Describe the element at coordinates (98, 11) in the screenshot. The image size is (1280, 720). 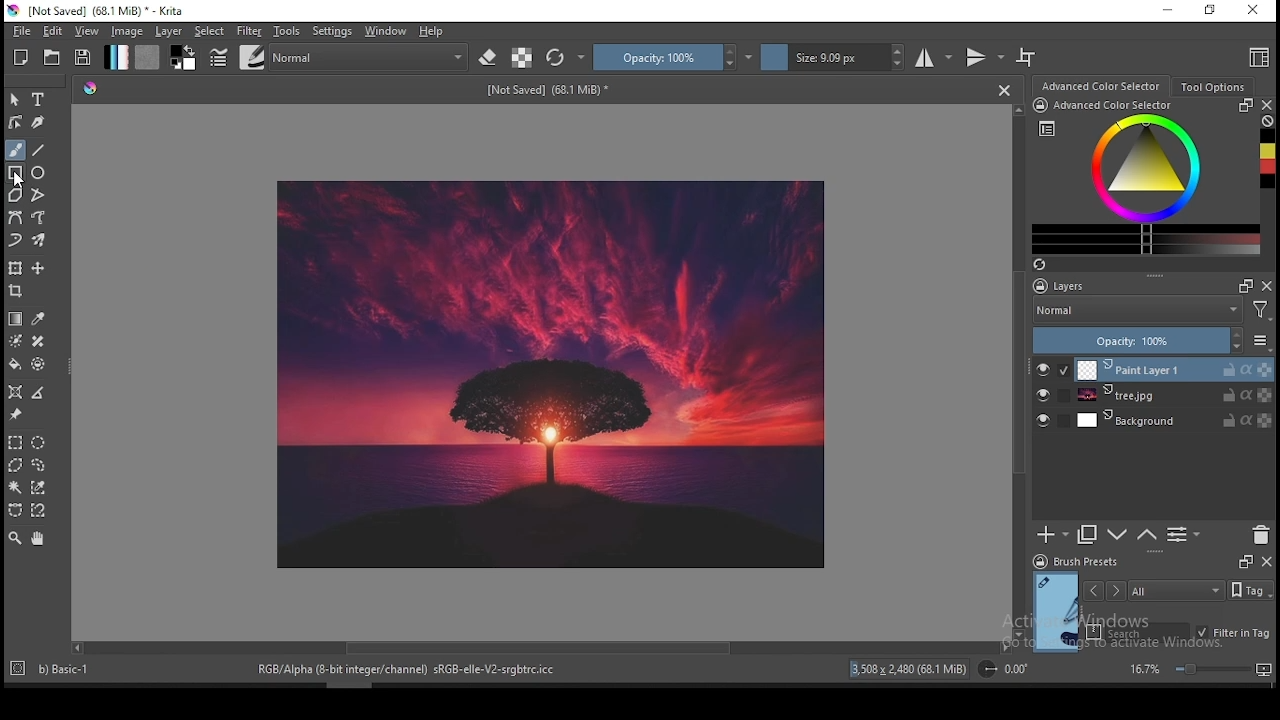
I see `icon and file name` at that location.